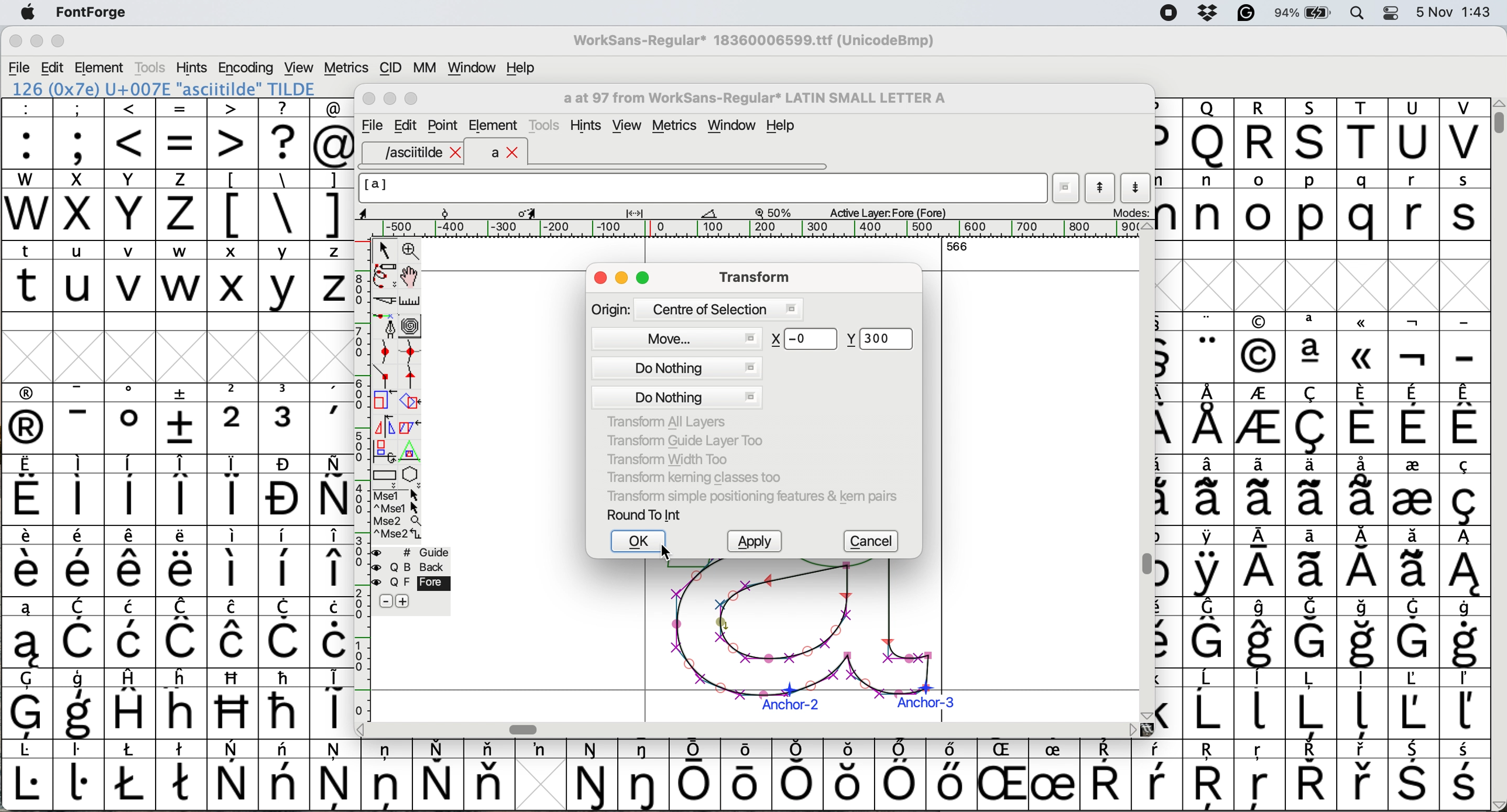 This screenshot has height=812, width=1507. What do you see at coordinates (332, 276) in the screenshot?
I see `z` at bounding box center [332, 276].